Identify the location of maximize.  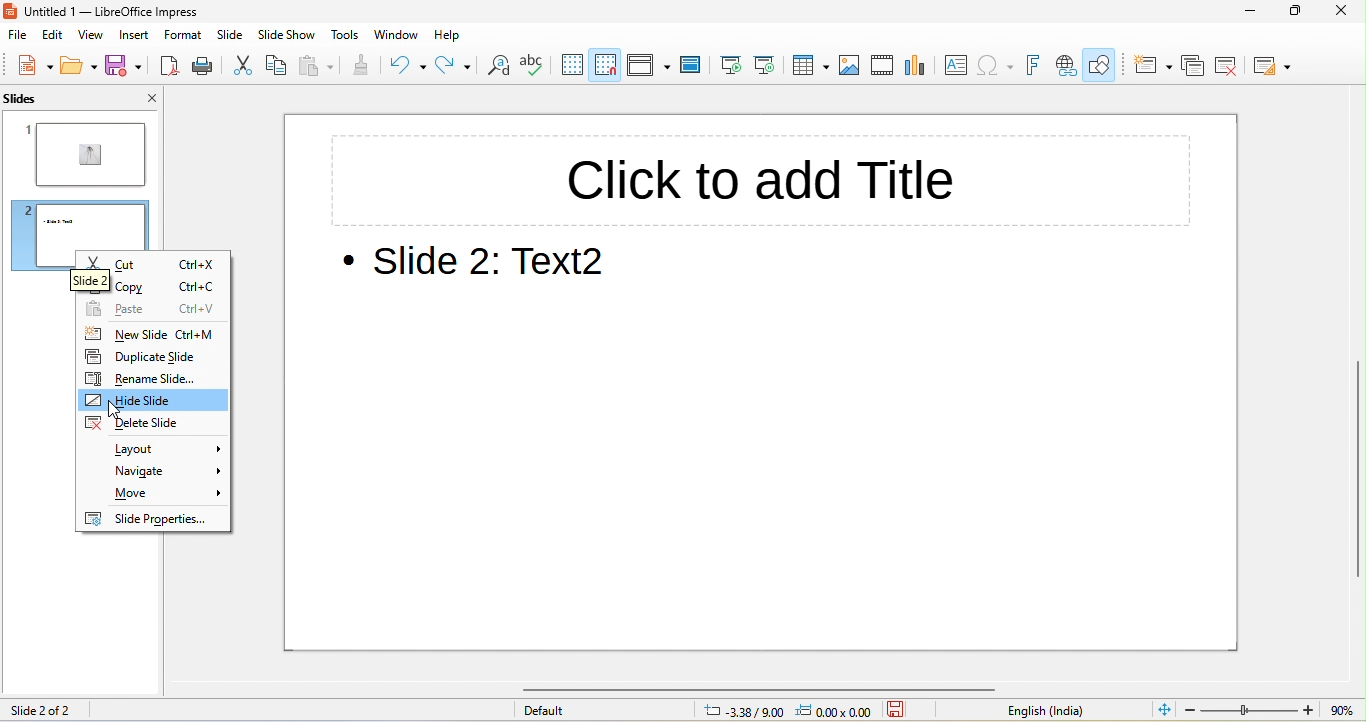
(1295, 10).